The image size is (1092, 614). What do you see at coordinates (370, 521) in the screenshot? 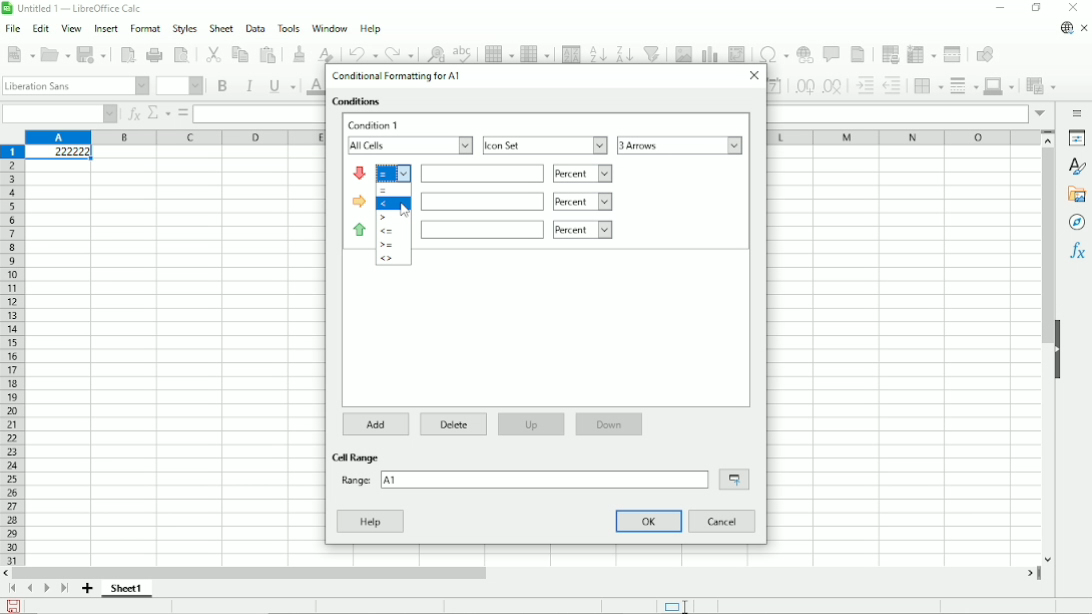
I see `Help` at bounding box center [370, 521].